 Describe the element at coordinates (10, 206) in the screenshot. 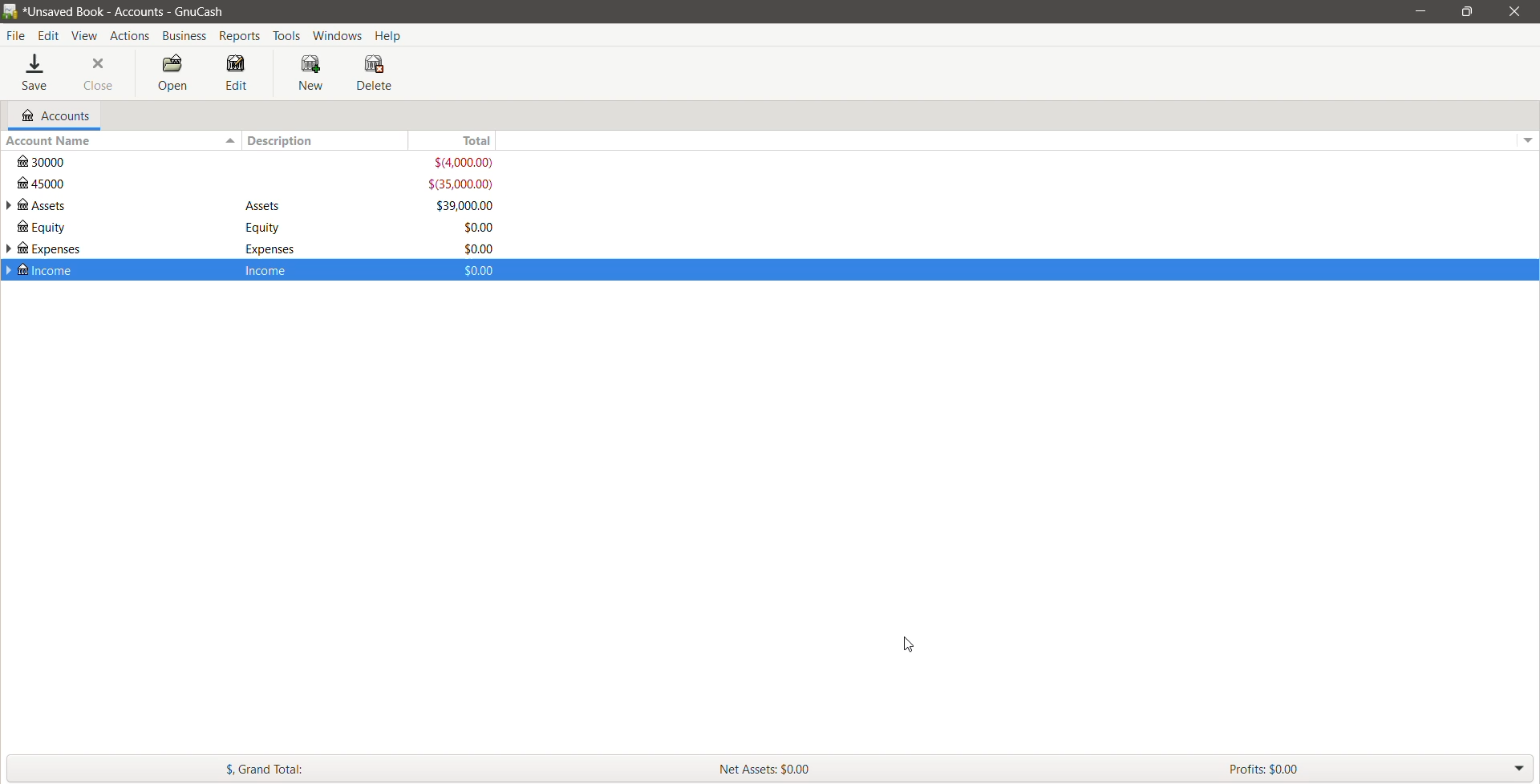

I see `expand subaccounts` at that location.